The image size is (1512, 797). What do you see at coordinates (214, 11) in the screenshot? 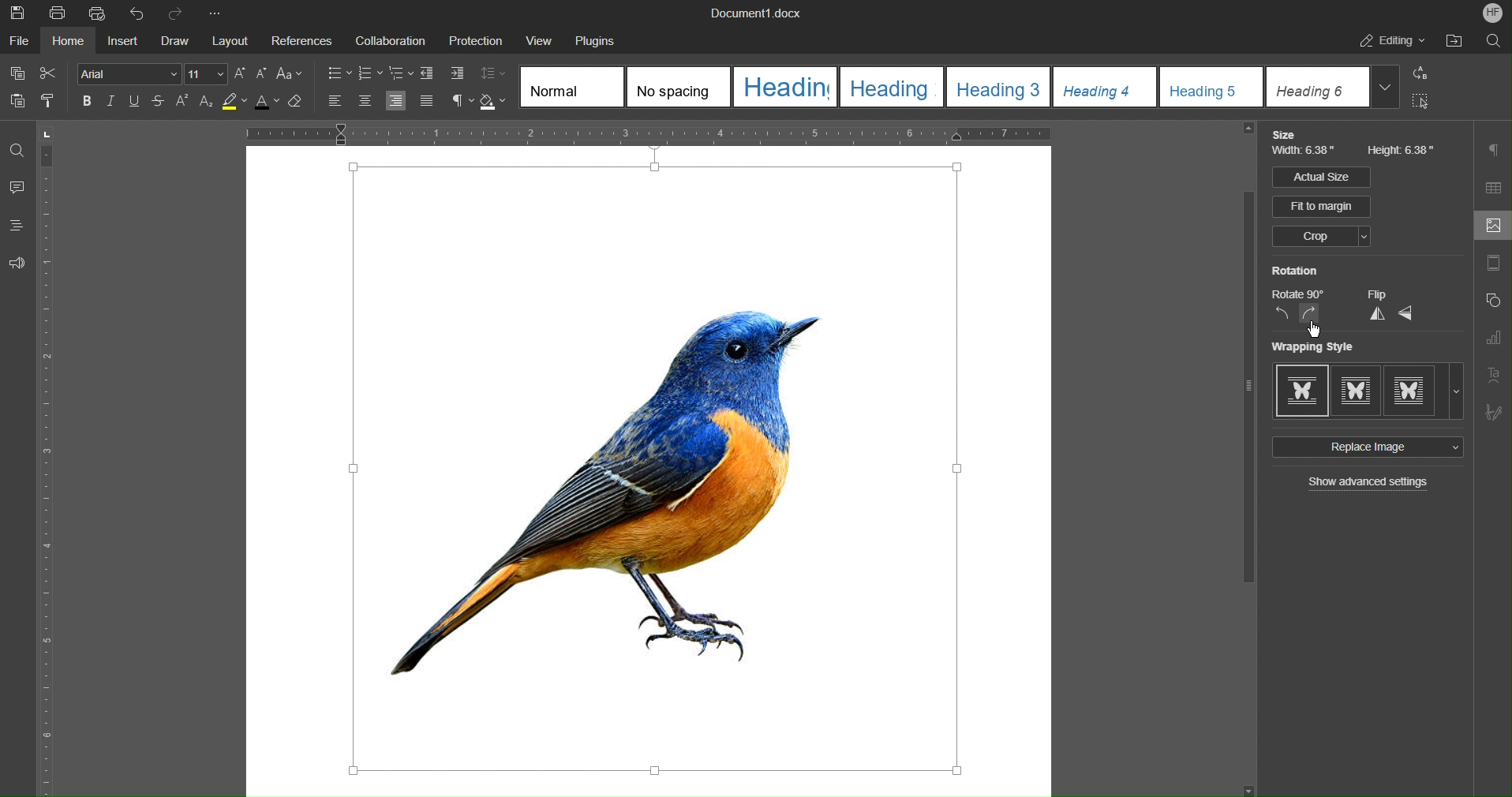
I see `Customize Quick Access Bar` at bounding box center [214, 11].